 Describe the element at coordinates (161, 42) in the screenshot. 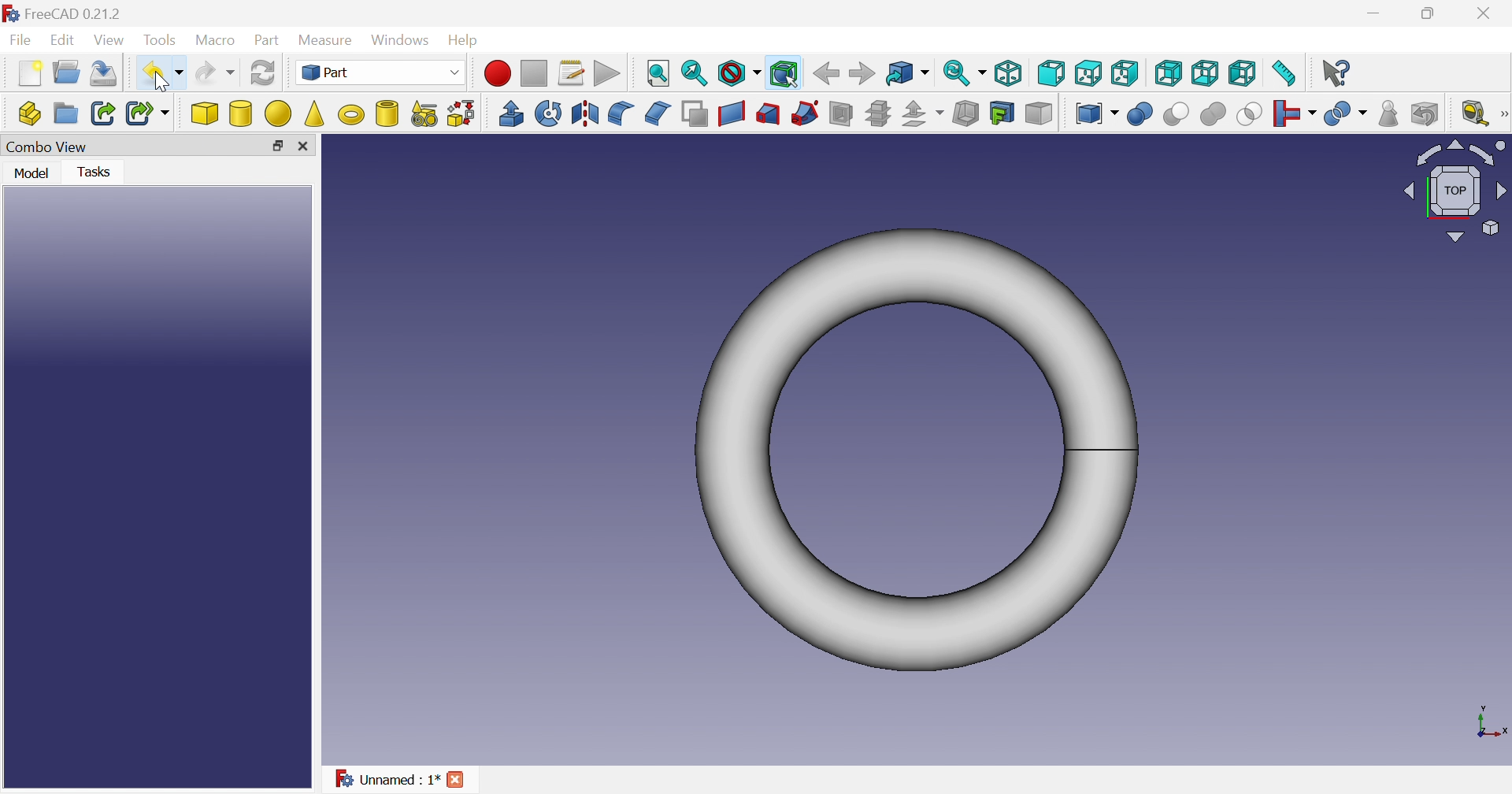

I see `Tools` at that location.